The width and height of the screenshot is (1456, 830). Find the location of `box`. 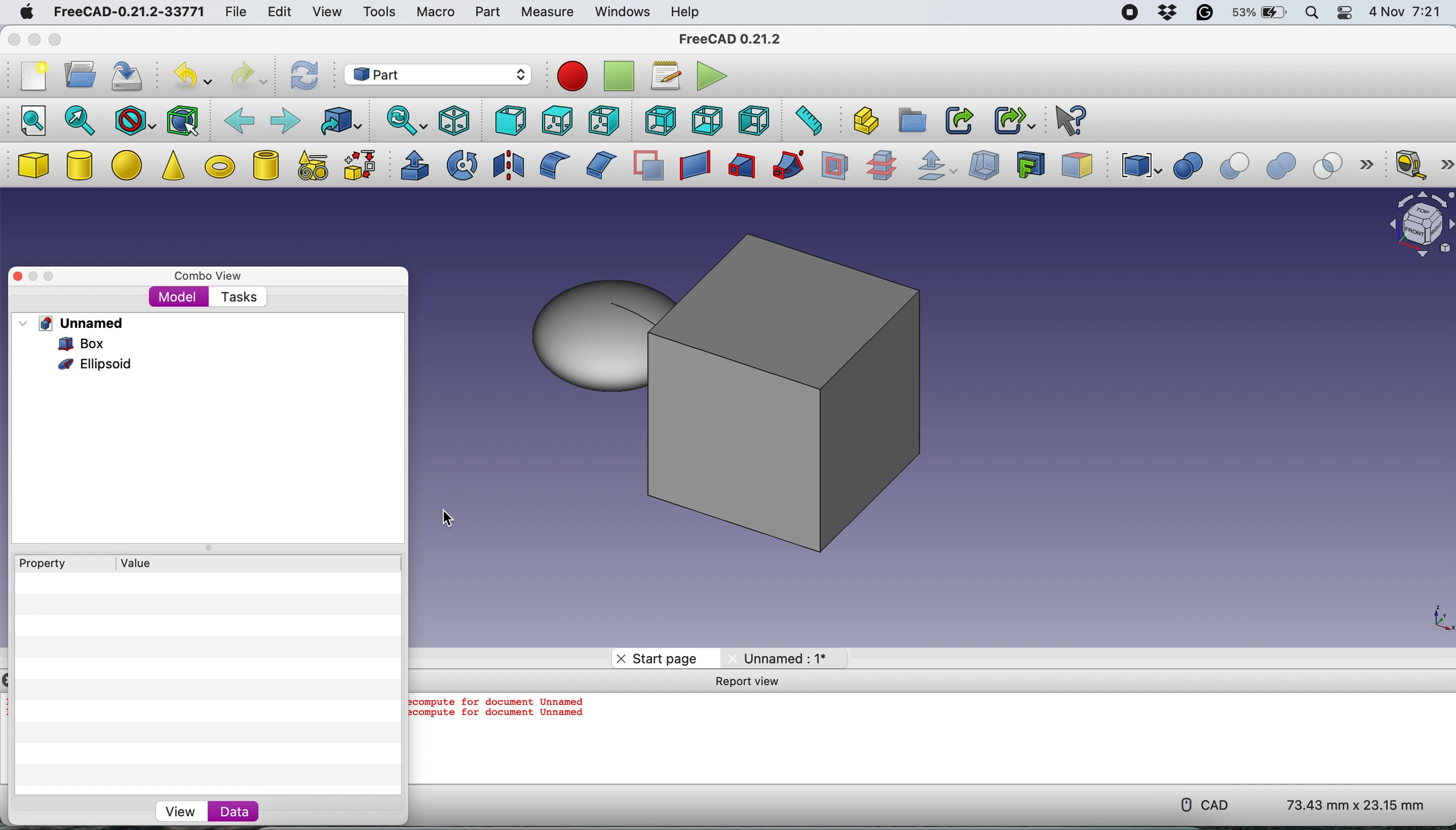

box is located at coordinates (32, 166).